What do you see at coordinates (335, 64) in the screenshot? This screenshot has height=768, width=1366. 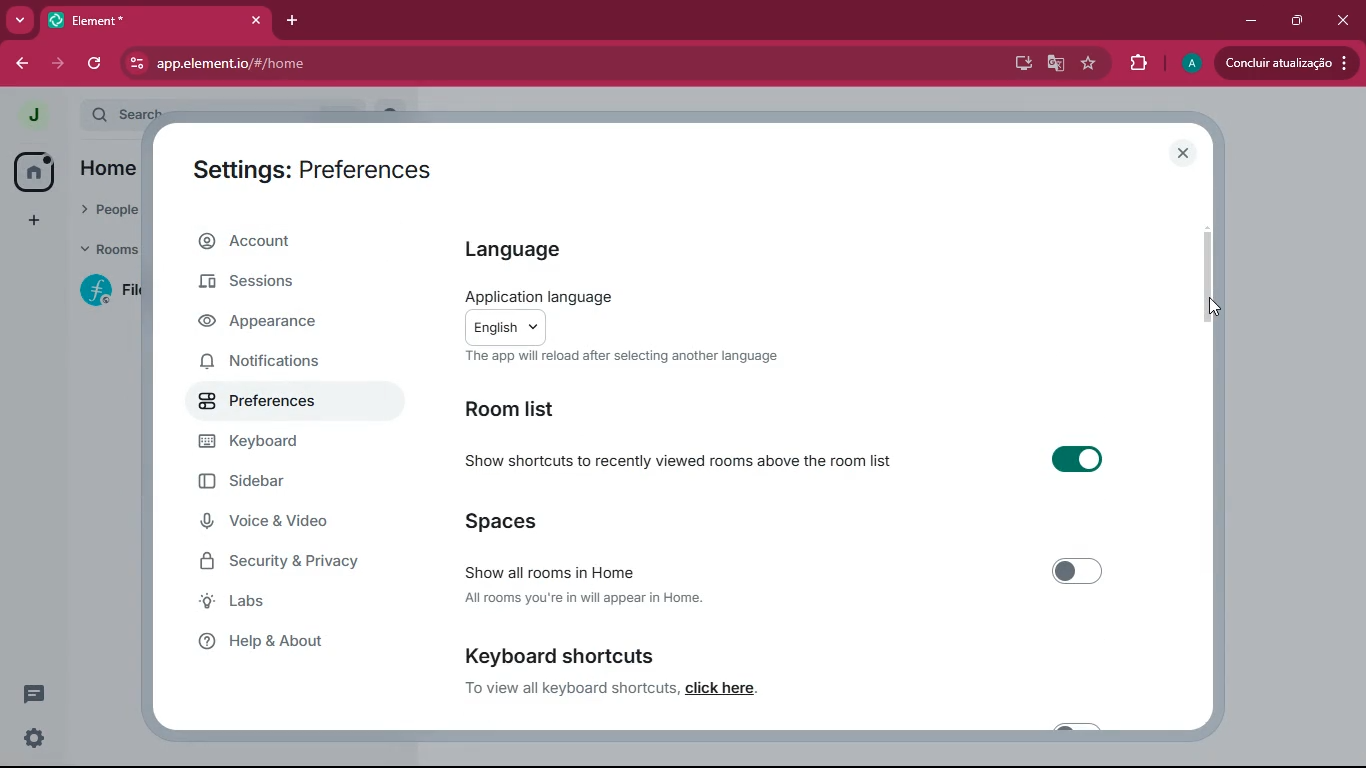 I see `app.element.io/#/home` at bounding box center [335, 64].